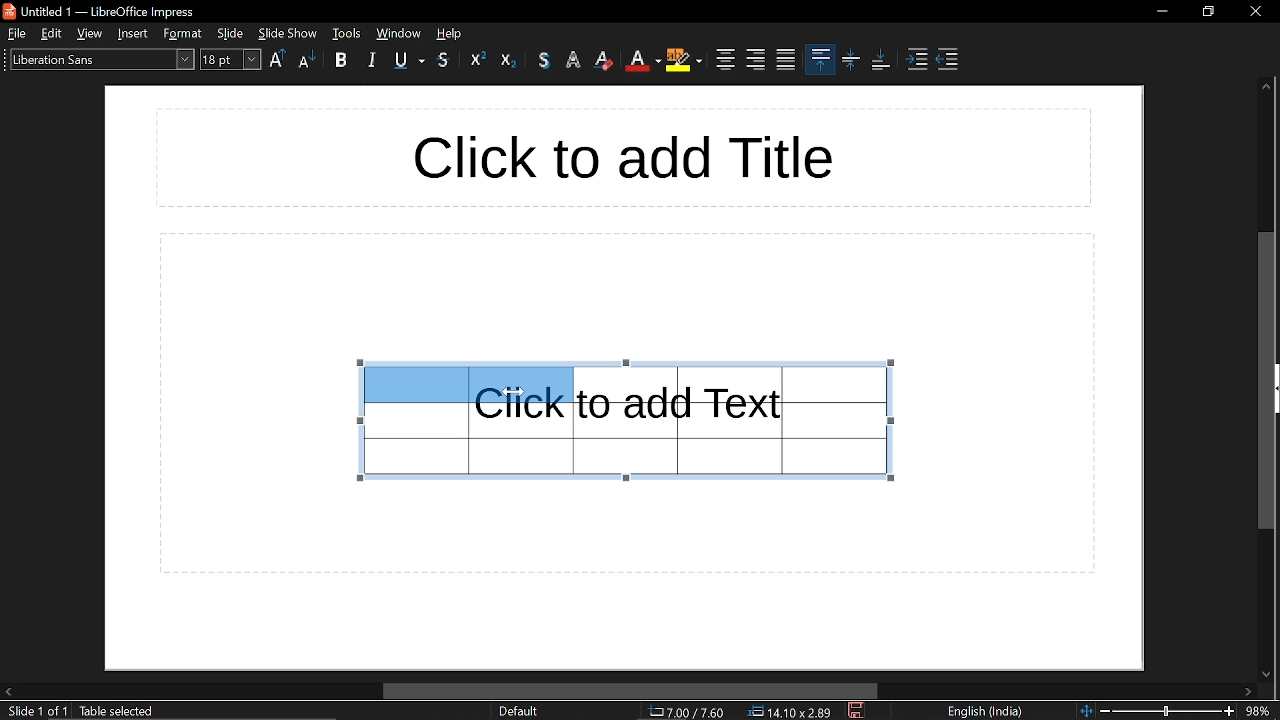  What do you see at coordinates (288, 33) in the screenshot?
I see `slide show` at bounding box center [288, 33].